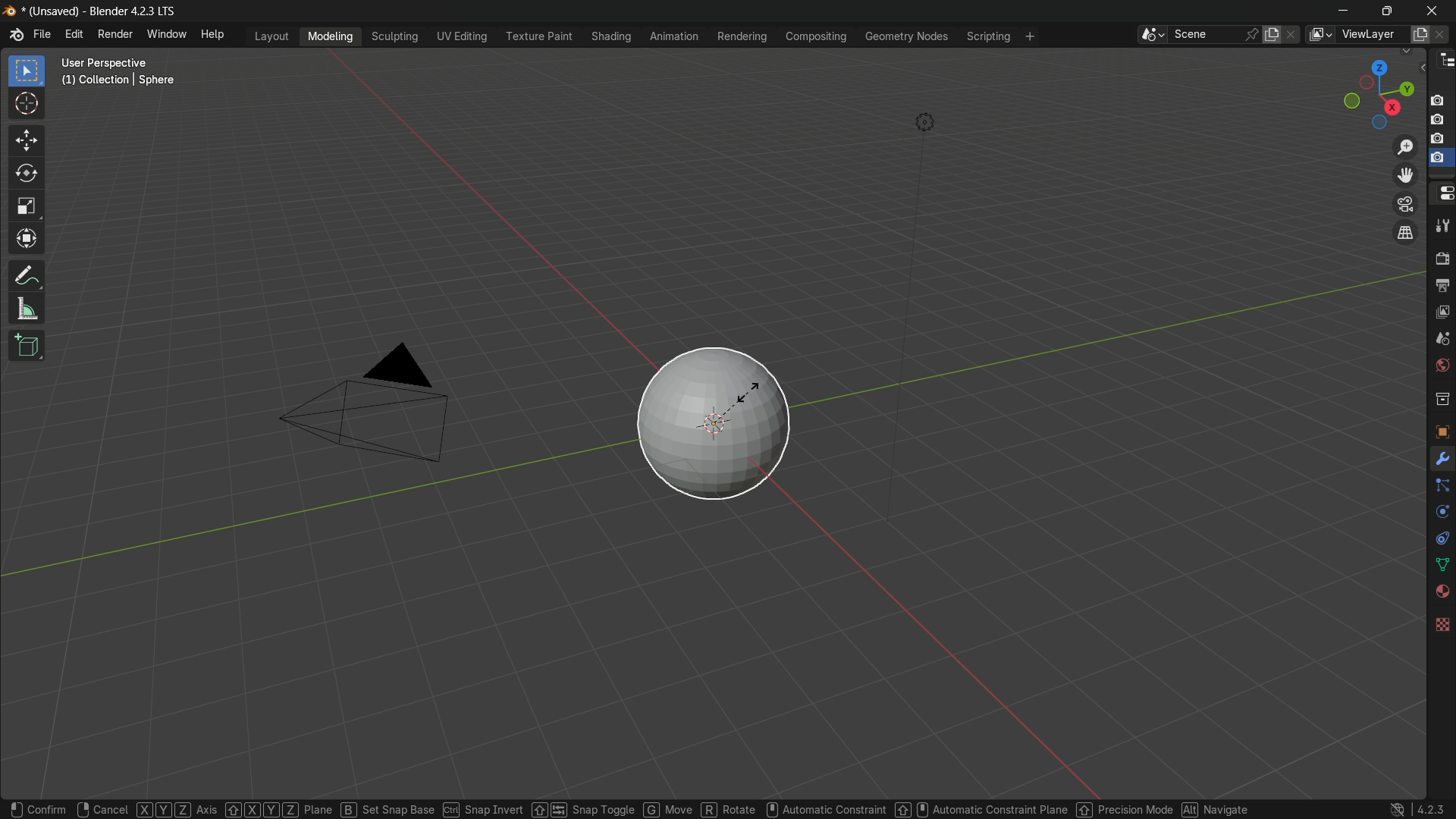 The image size is (1456, 819). I want to click on snap invert, so click(516, 806).